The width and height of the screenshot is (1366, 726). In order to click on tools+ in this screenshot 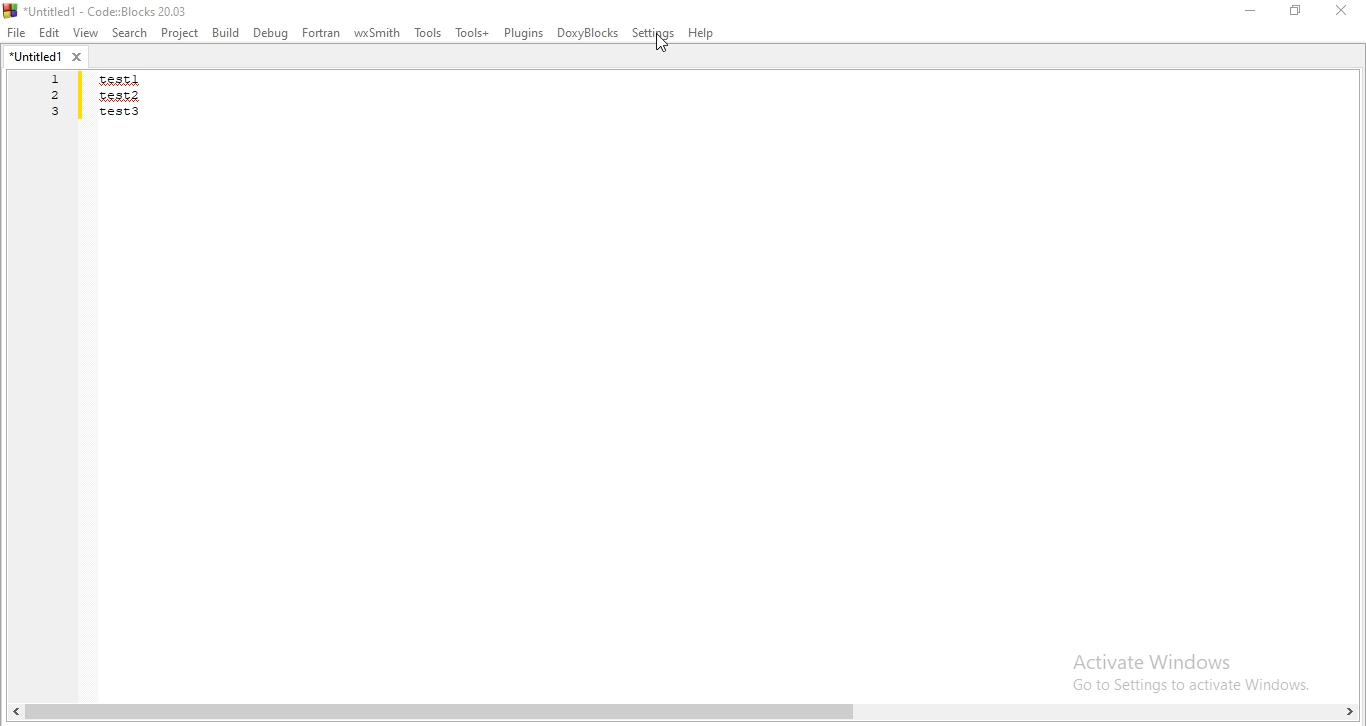, I will do `click(470, 33)`.